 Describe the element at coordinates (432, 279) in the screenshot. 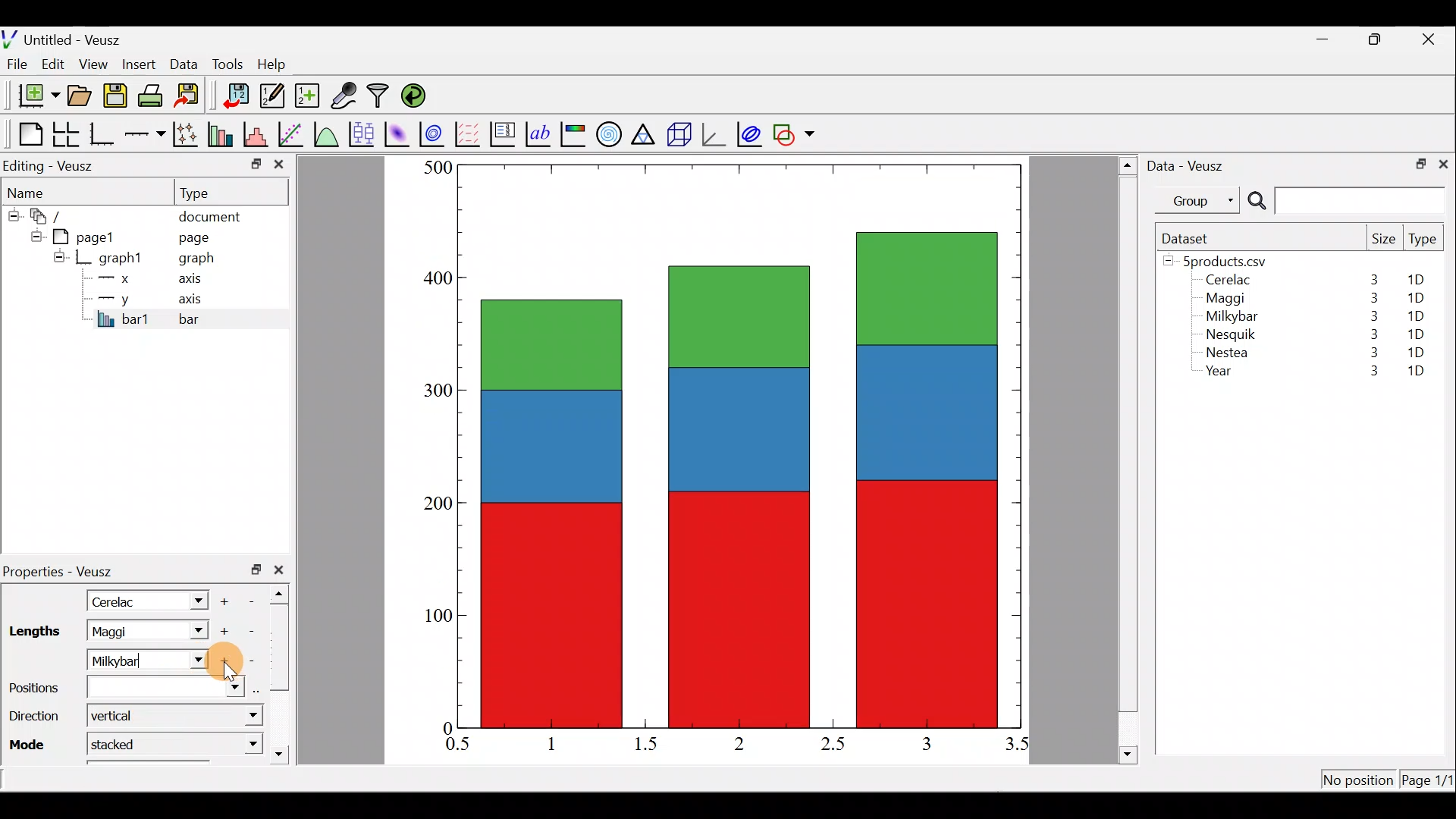

I see `400` at that location.